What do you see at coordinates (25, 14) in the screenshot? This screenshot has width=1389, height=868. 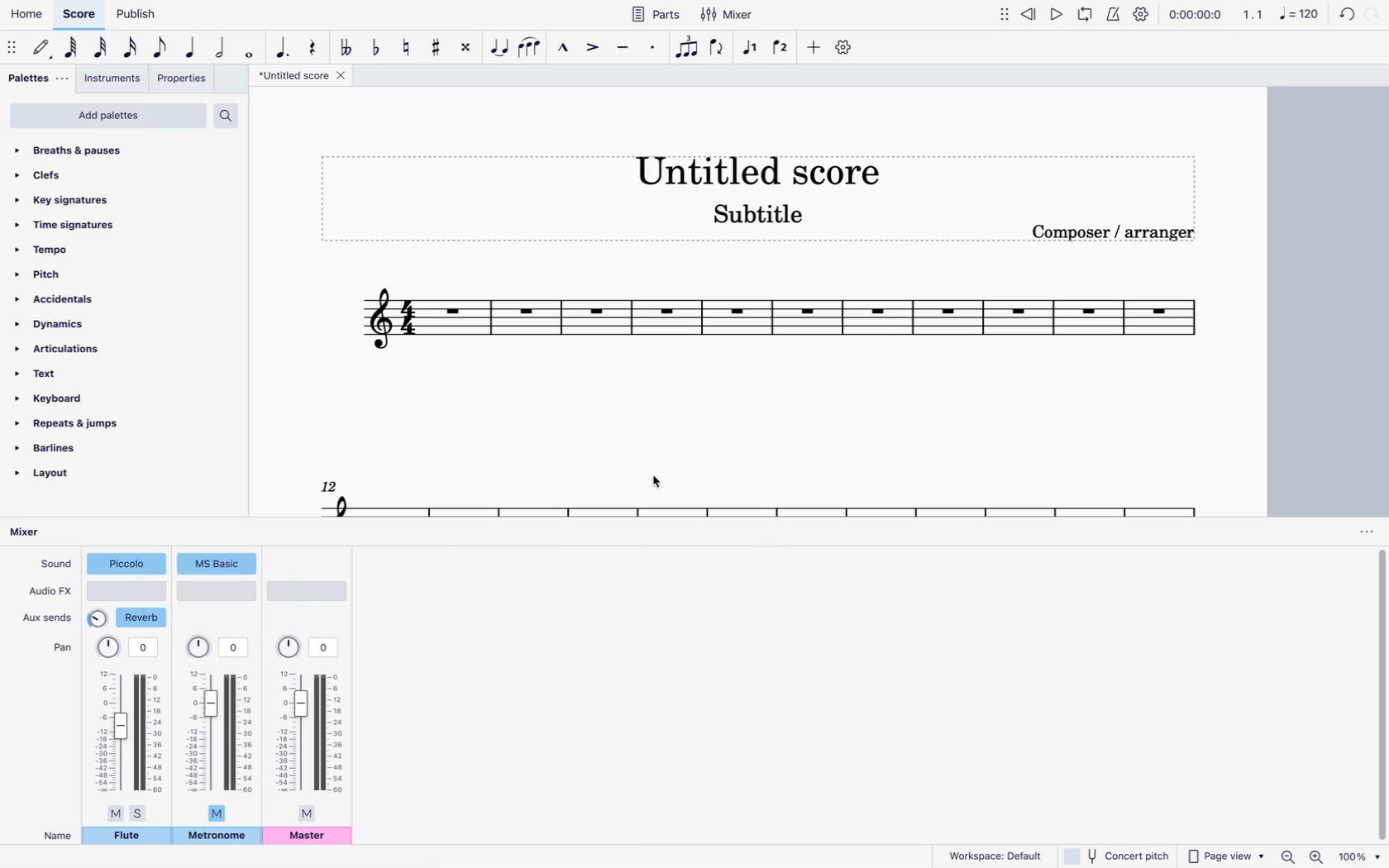 I see `home` at bounding box center [25, 14].